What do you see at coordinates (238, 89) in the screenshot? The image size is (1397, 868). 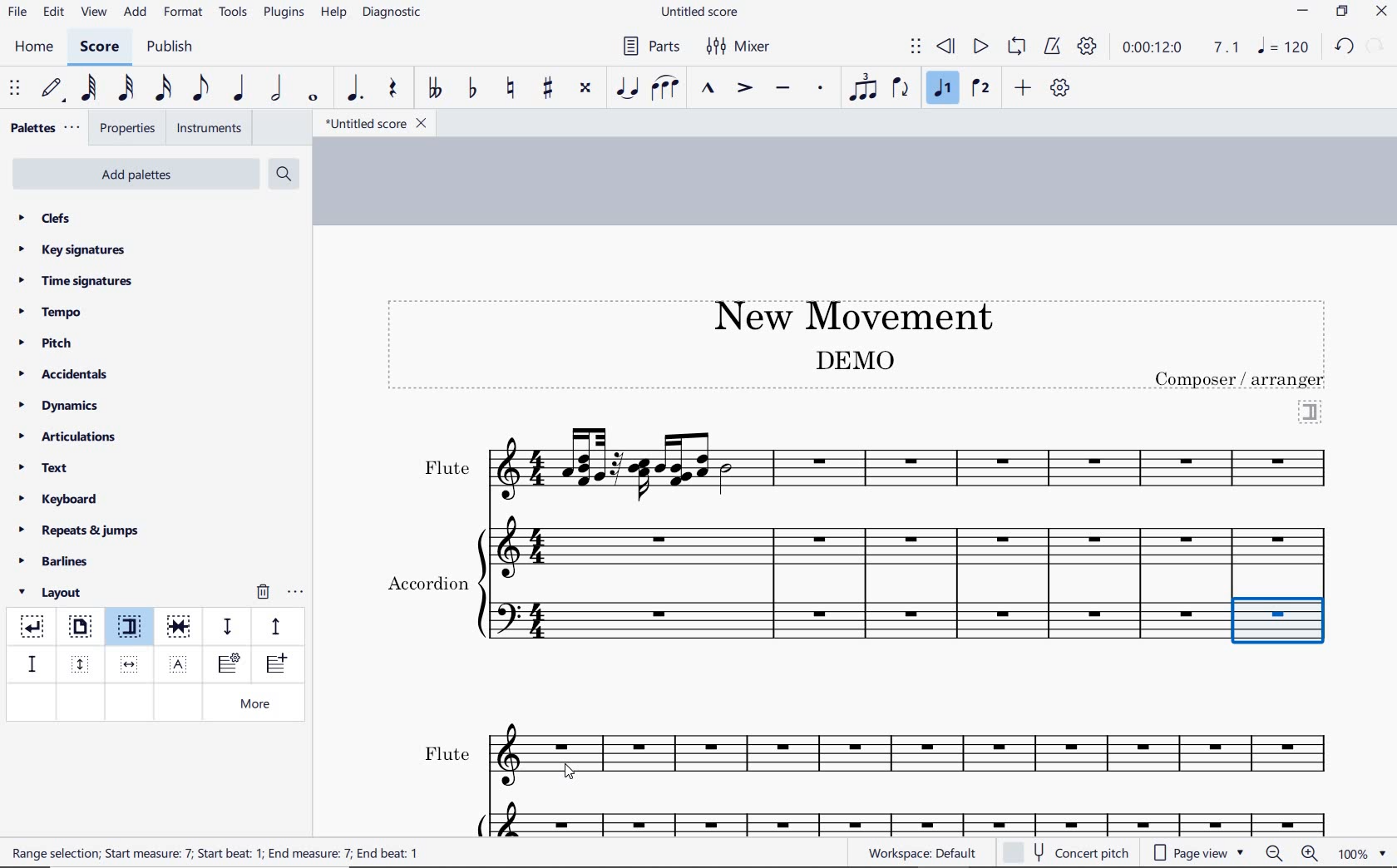 I see `quarter note` at bounding box center [238, 89].